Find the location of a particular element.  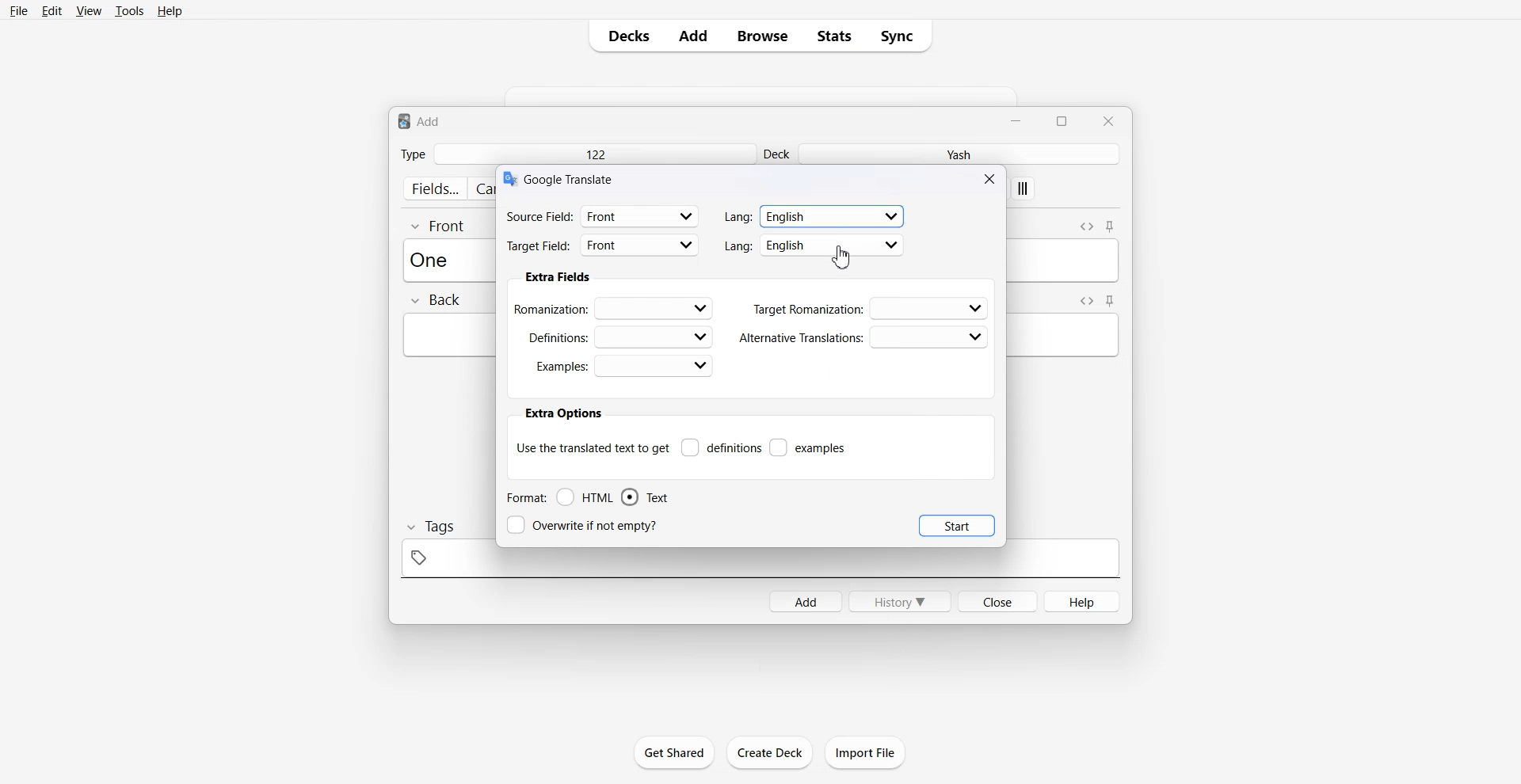

Romanization: is located at coordinates (616, 307).